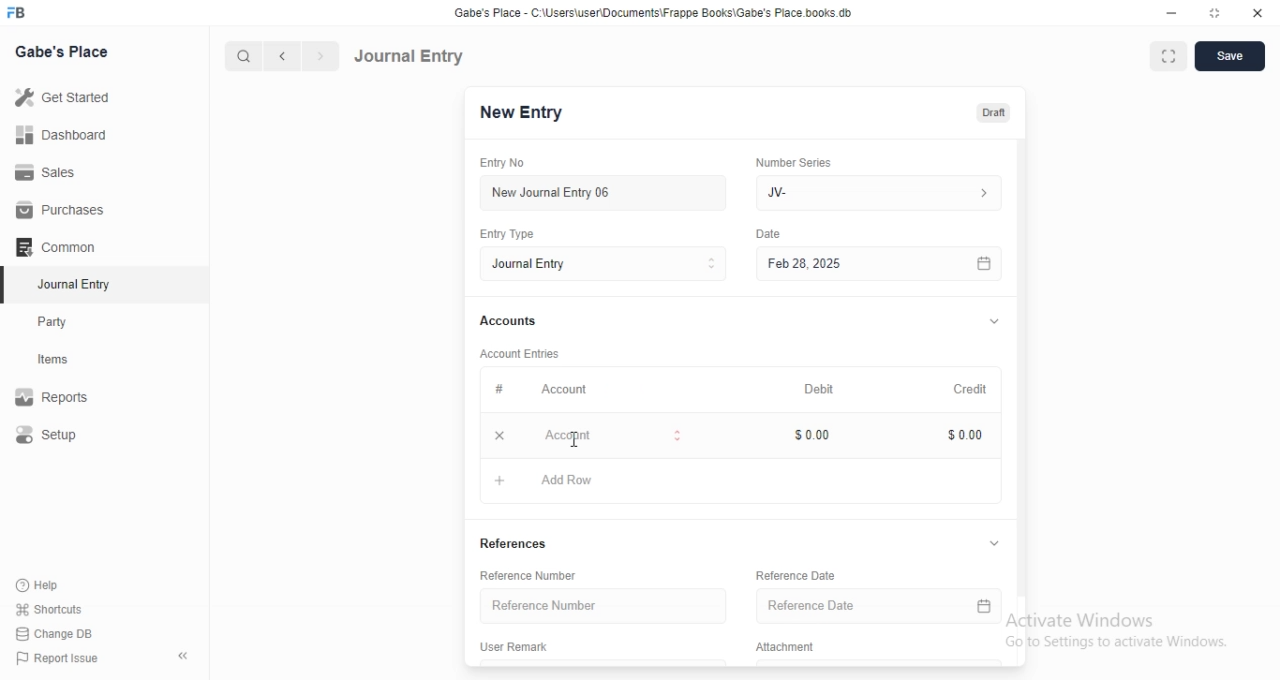  What do you see at coordinates (410, 55) in the screenshot?
I see `Journal Entry` at bounding box center [410, 55].